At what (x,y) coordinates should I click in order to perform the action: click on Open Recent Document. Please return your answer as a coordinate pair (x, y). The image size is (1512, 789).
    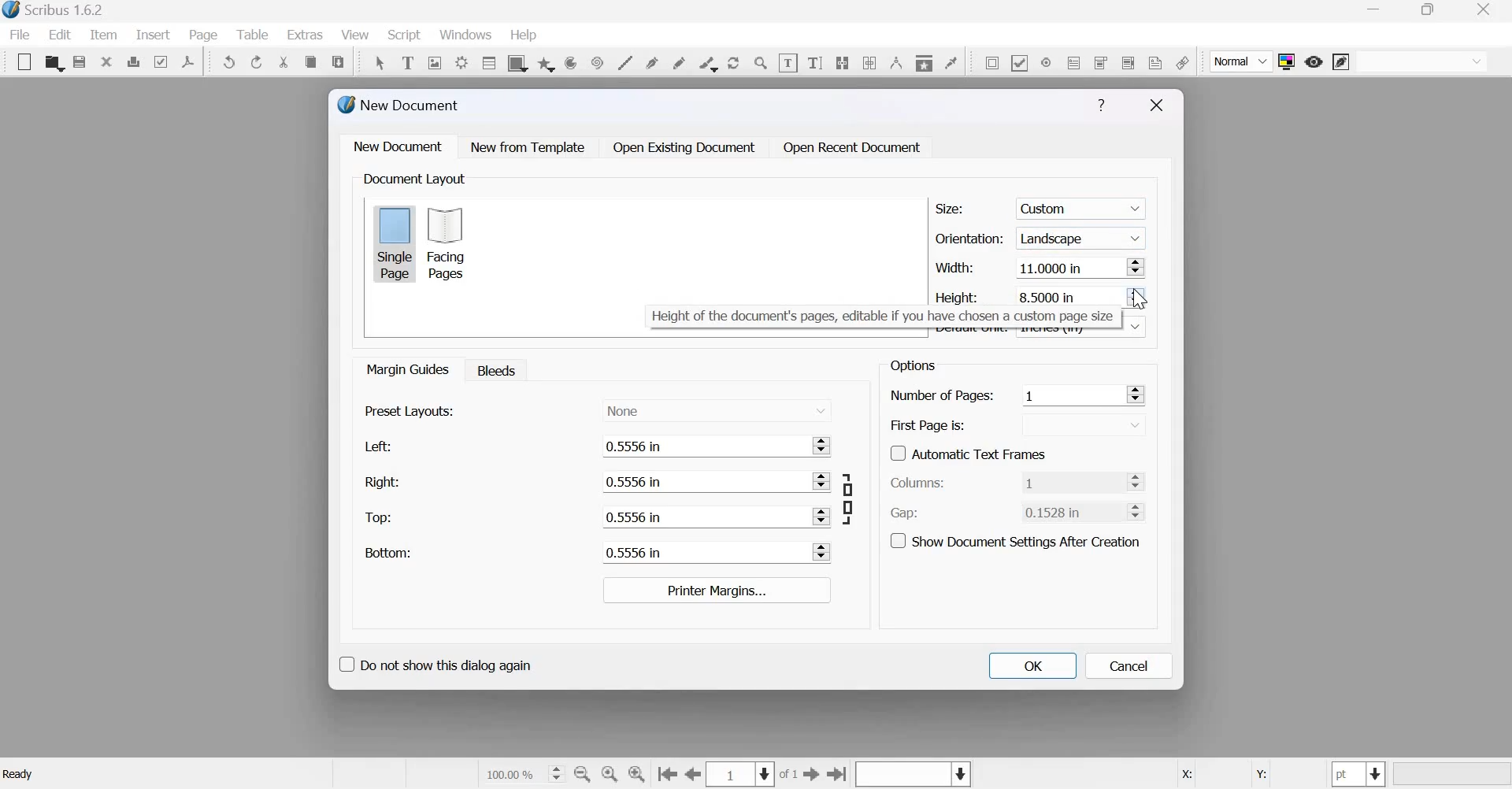
    Looking at the image, I should click on (853, 148).